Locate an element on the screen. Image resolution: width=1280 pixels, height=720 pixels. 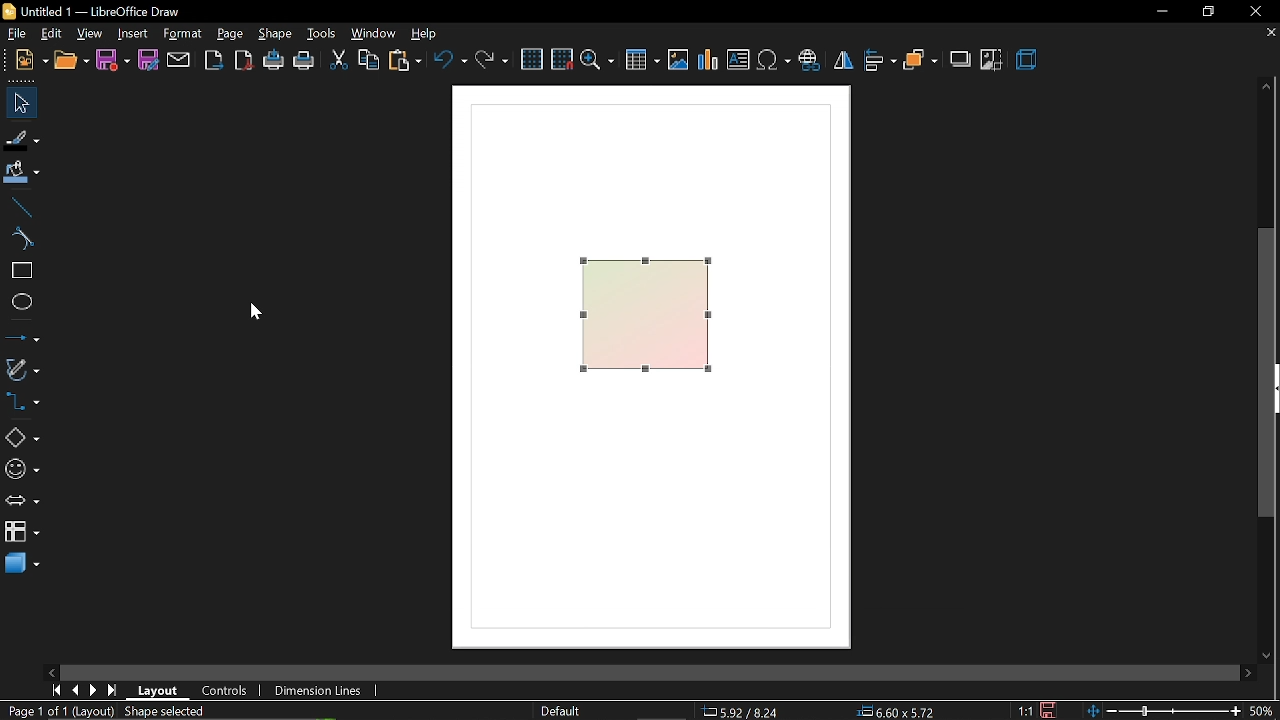
Vertical scroll bar is located at coordinates (1267, 377).